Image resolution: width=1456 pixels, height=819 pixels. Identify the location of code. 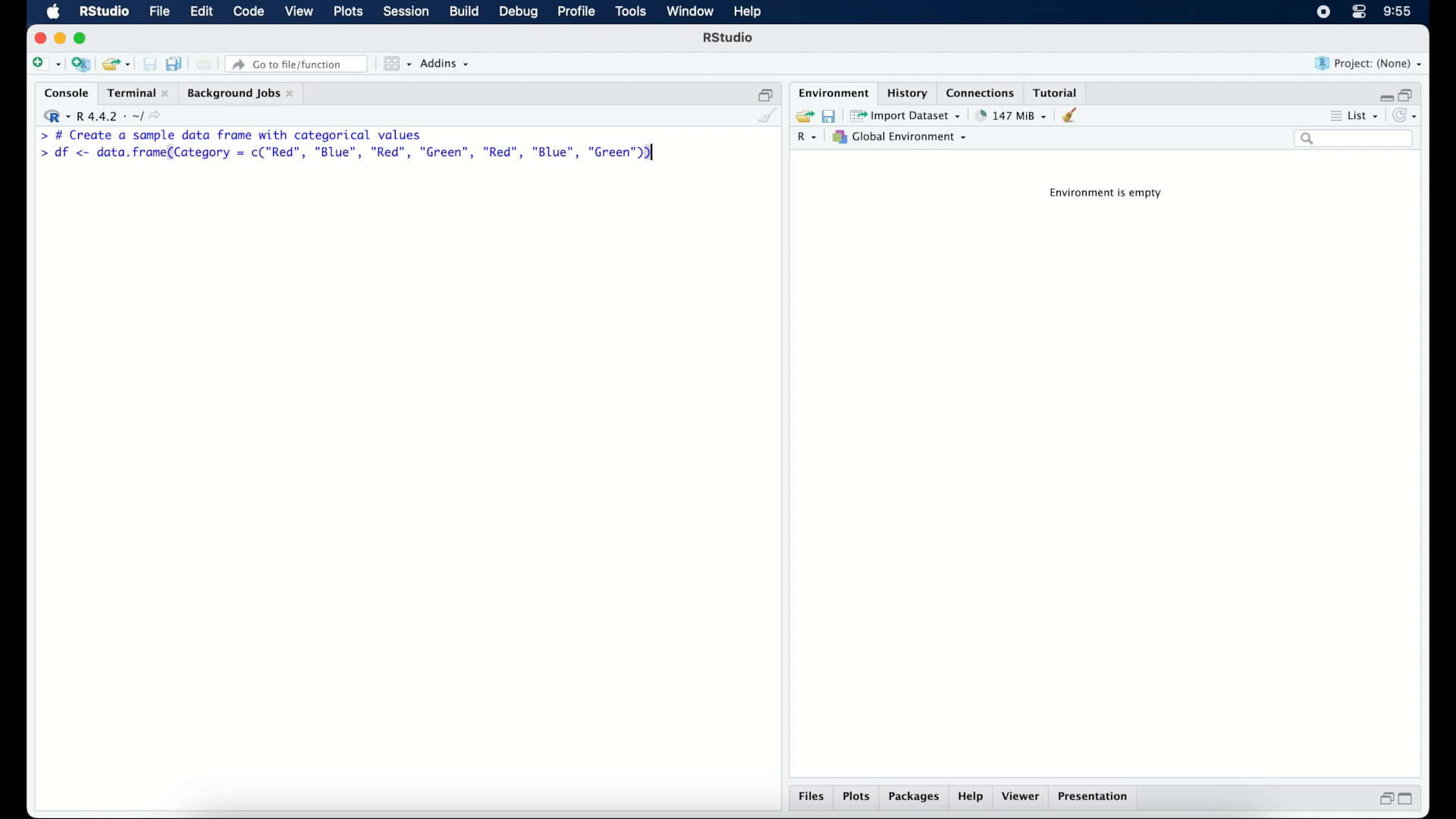
(249, 12).